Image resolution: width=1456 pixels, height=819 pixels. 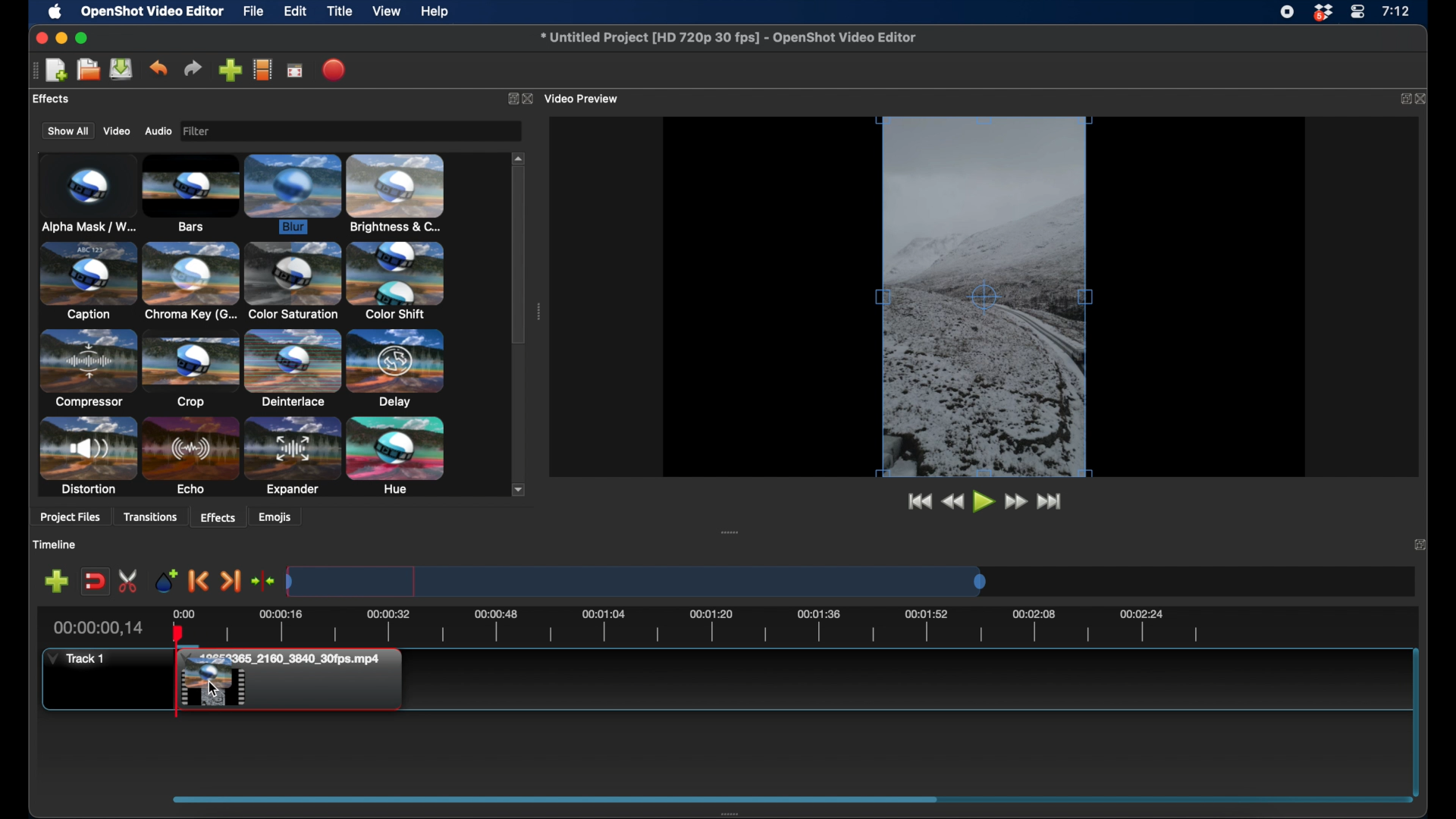 I want to click on save project, so click(x=121, y=69).